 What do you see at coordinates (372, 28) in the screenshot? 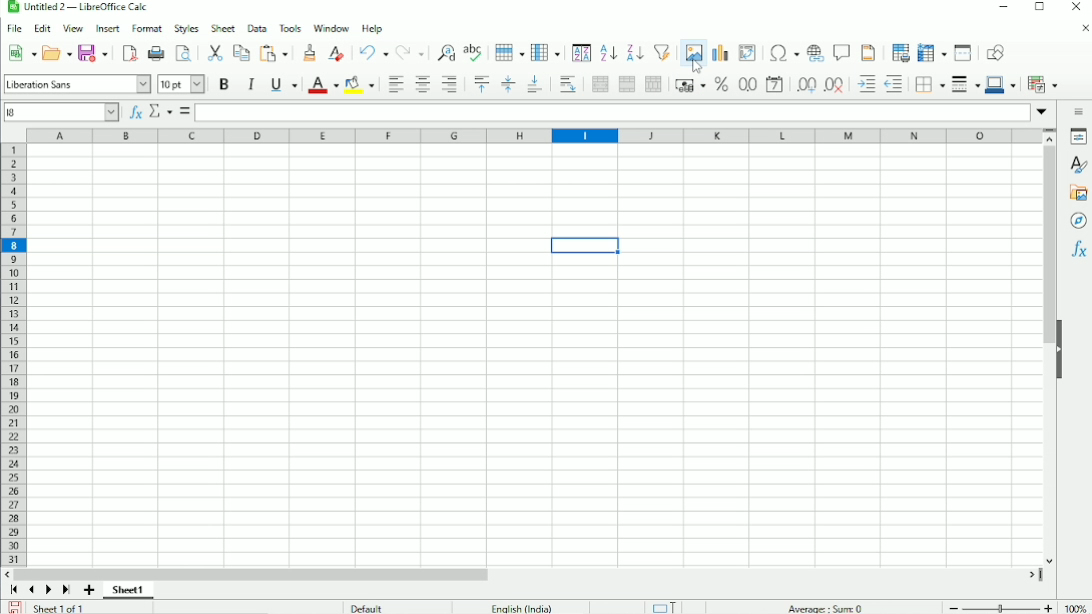
I see `Help` at bounding box center [372, 28].